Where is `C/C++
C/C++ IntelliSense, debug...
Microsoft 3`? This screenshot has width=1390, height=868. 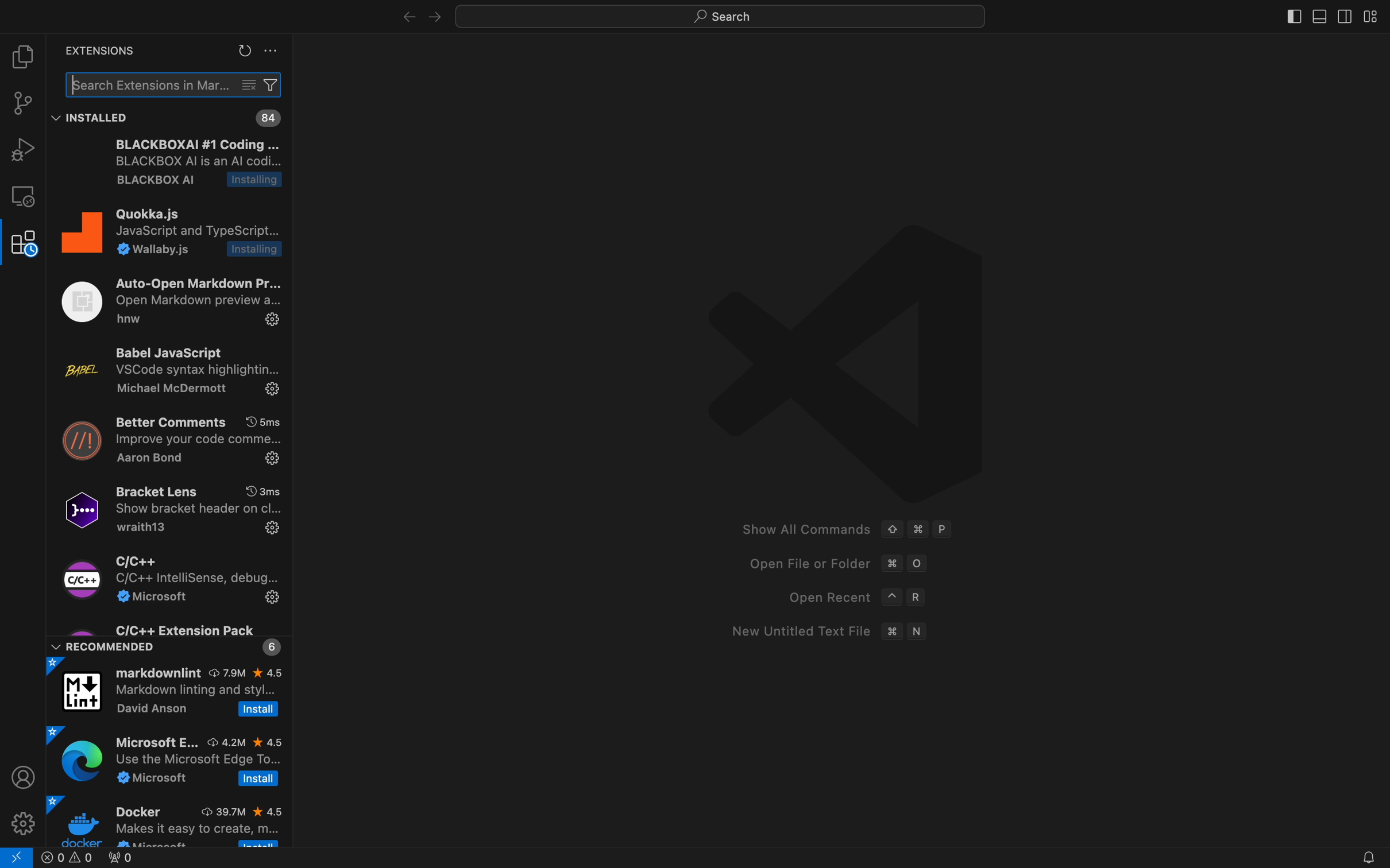
C/C++
C/C++ IntelliSense, debug...
Microsoft 3 is located at coordinates (165, 580).